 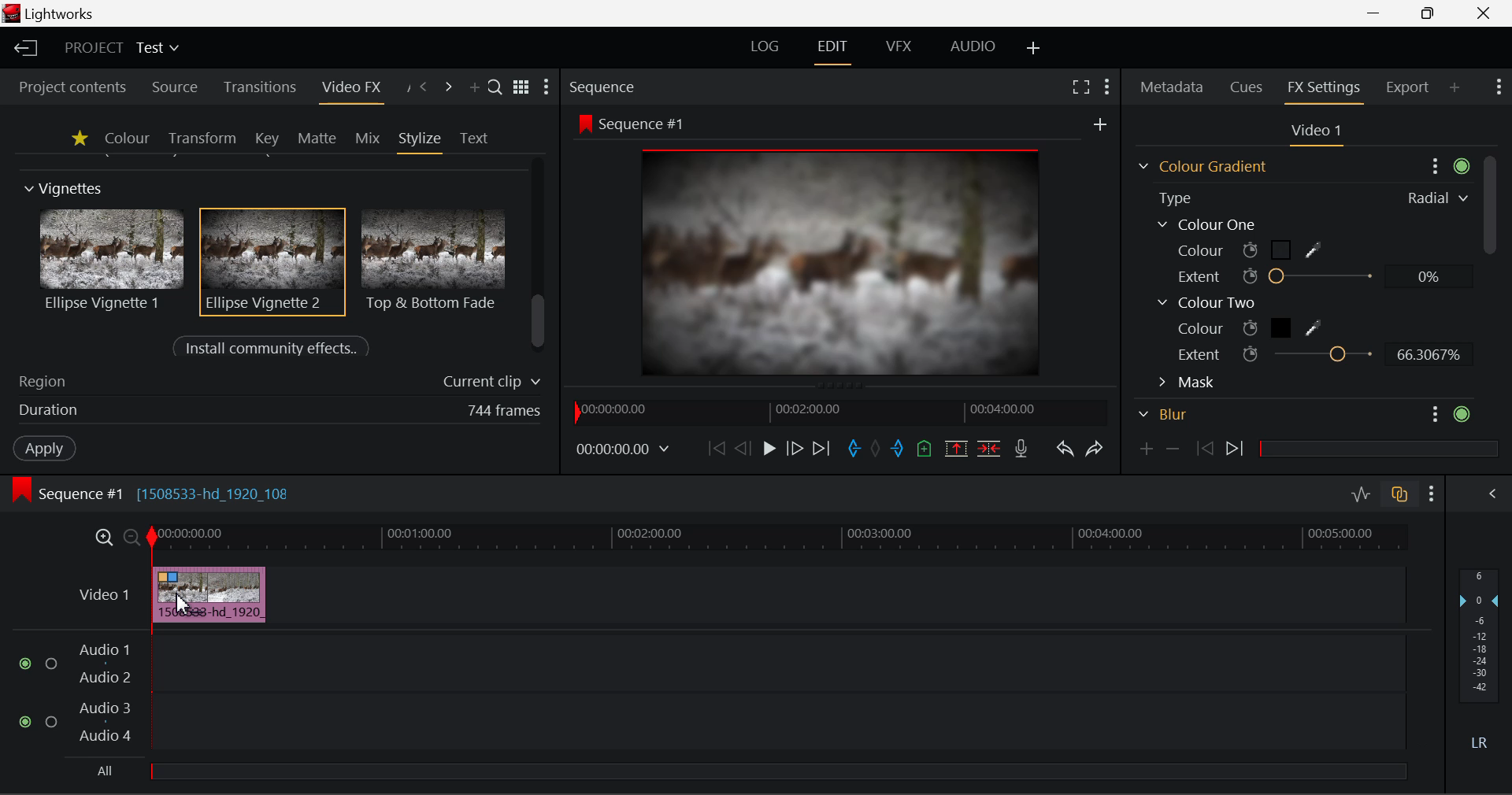 What do you see at coordinates (972, 47) in the screenshot?
I see `AUDIO Layout` at bounding box center [972, 47].